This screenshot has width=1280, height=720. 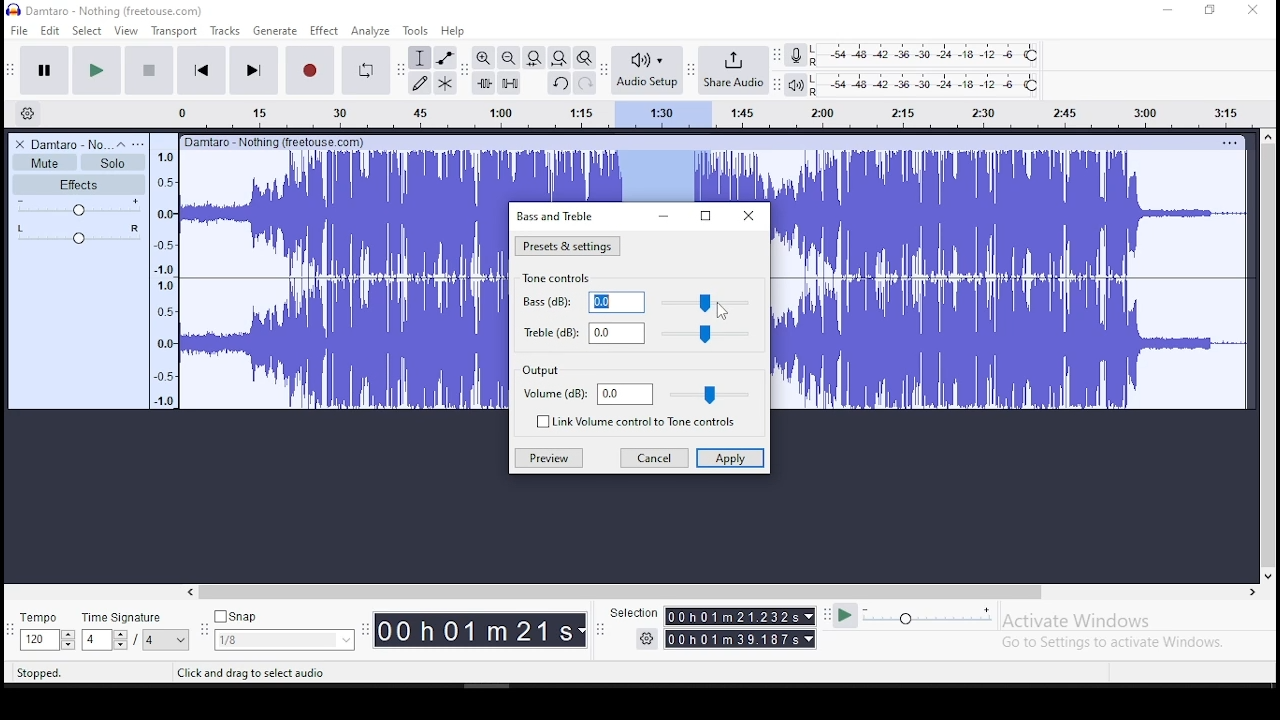 What do you see at coordinates (1267, 573) in the screenshot?
I see `down` at bounding box center [1267, 573].